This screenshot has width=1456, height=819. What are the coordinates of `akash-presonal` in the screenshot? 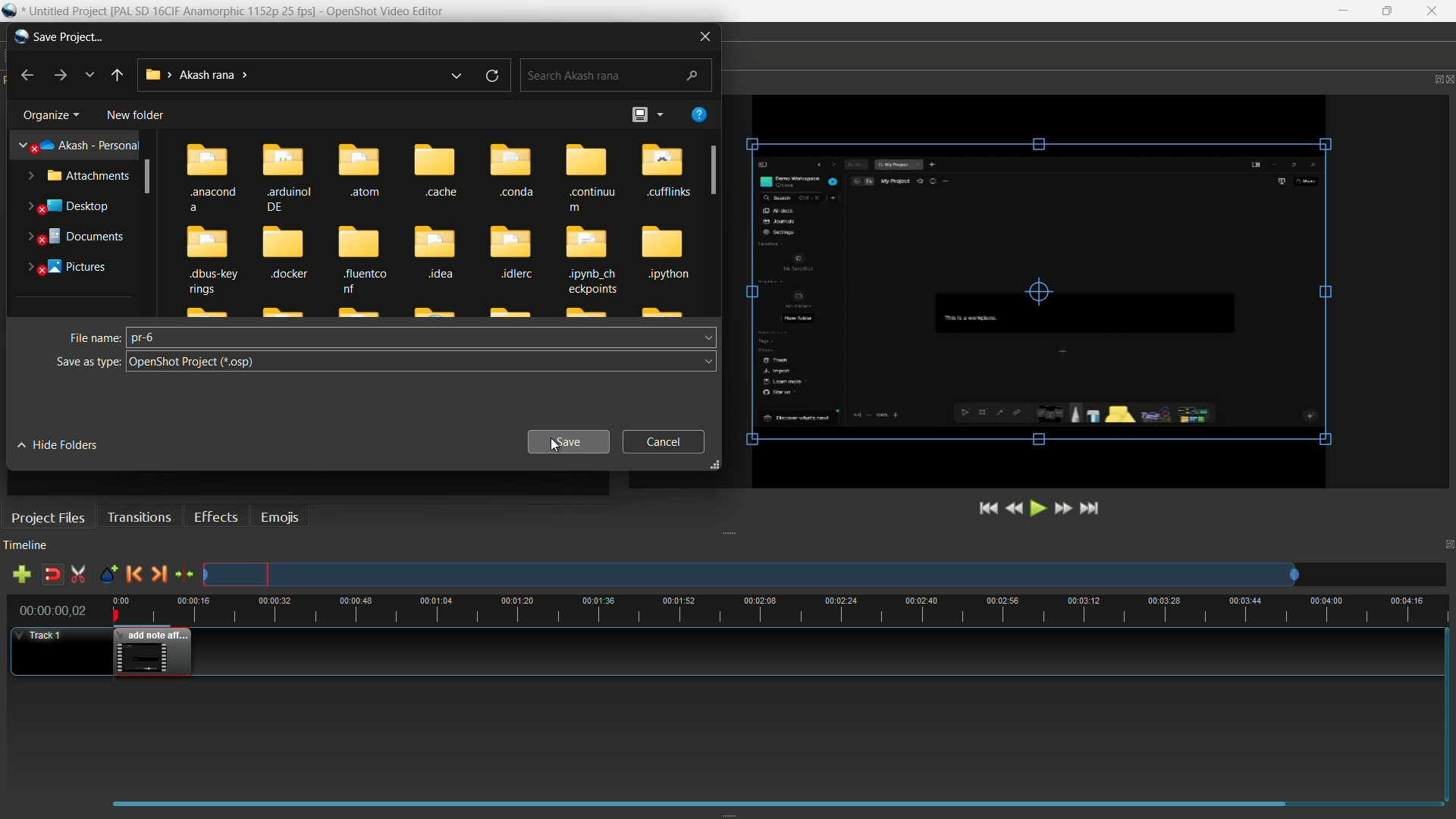 It's located at (79, 146).